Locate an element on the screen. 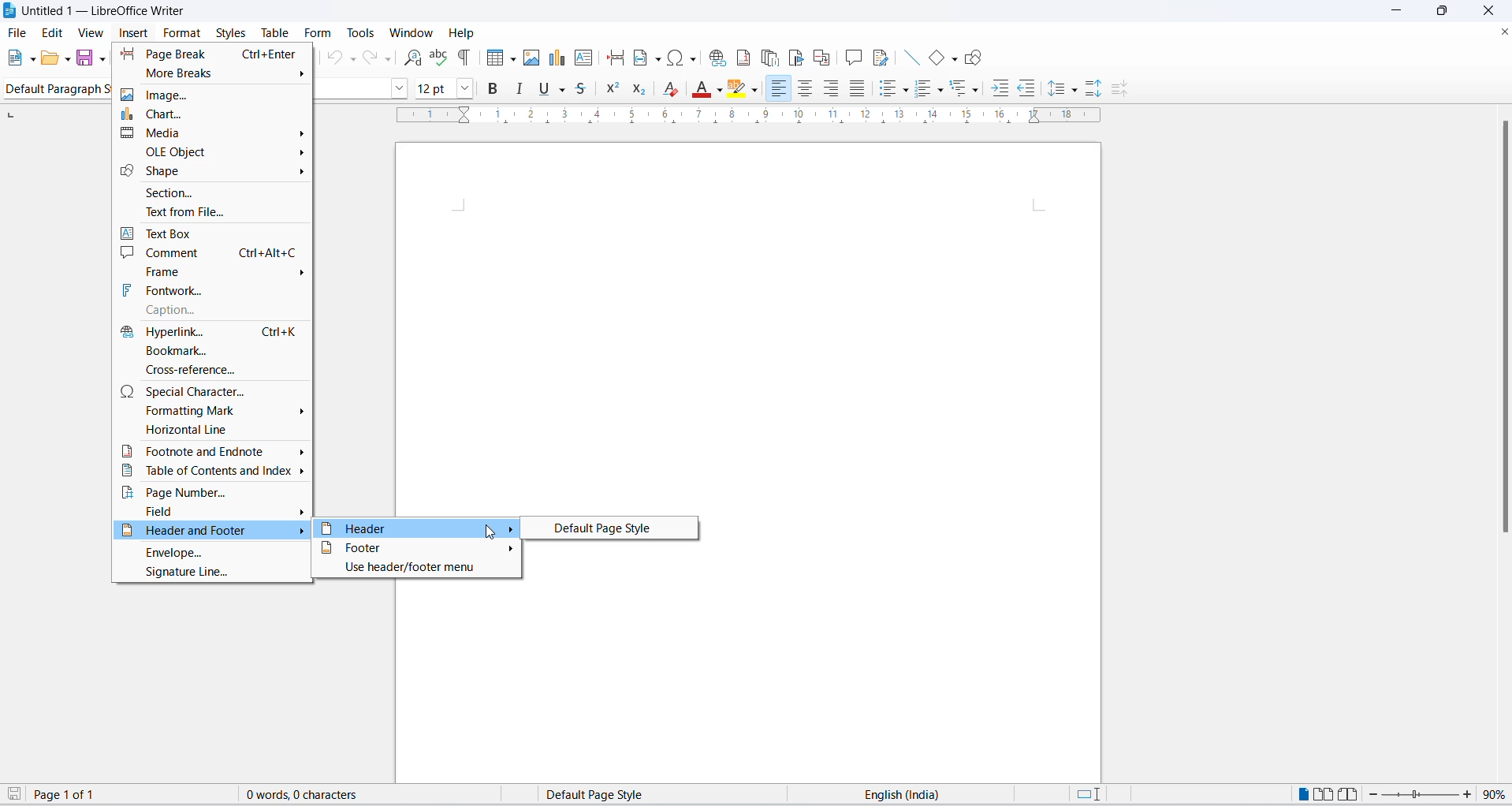  text box is located at coordinates (210, 230).